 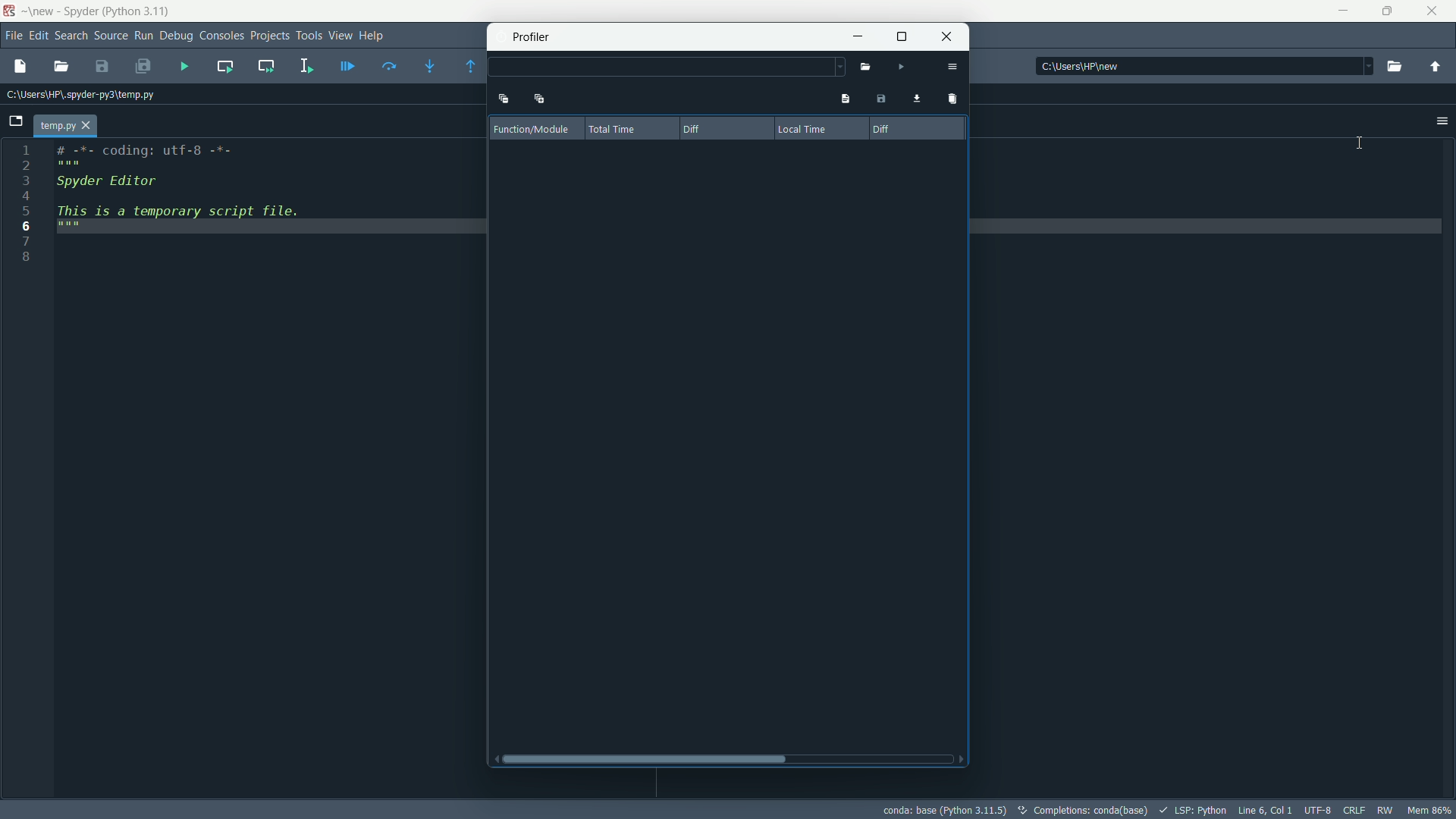 I want to click on show profile's output, so click(x=845, y=101).